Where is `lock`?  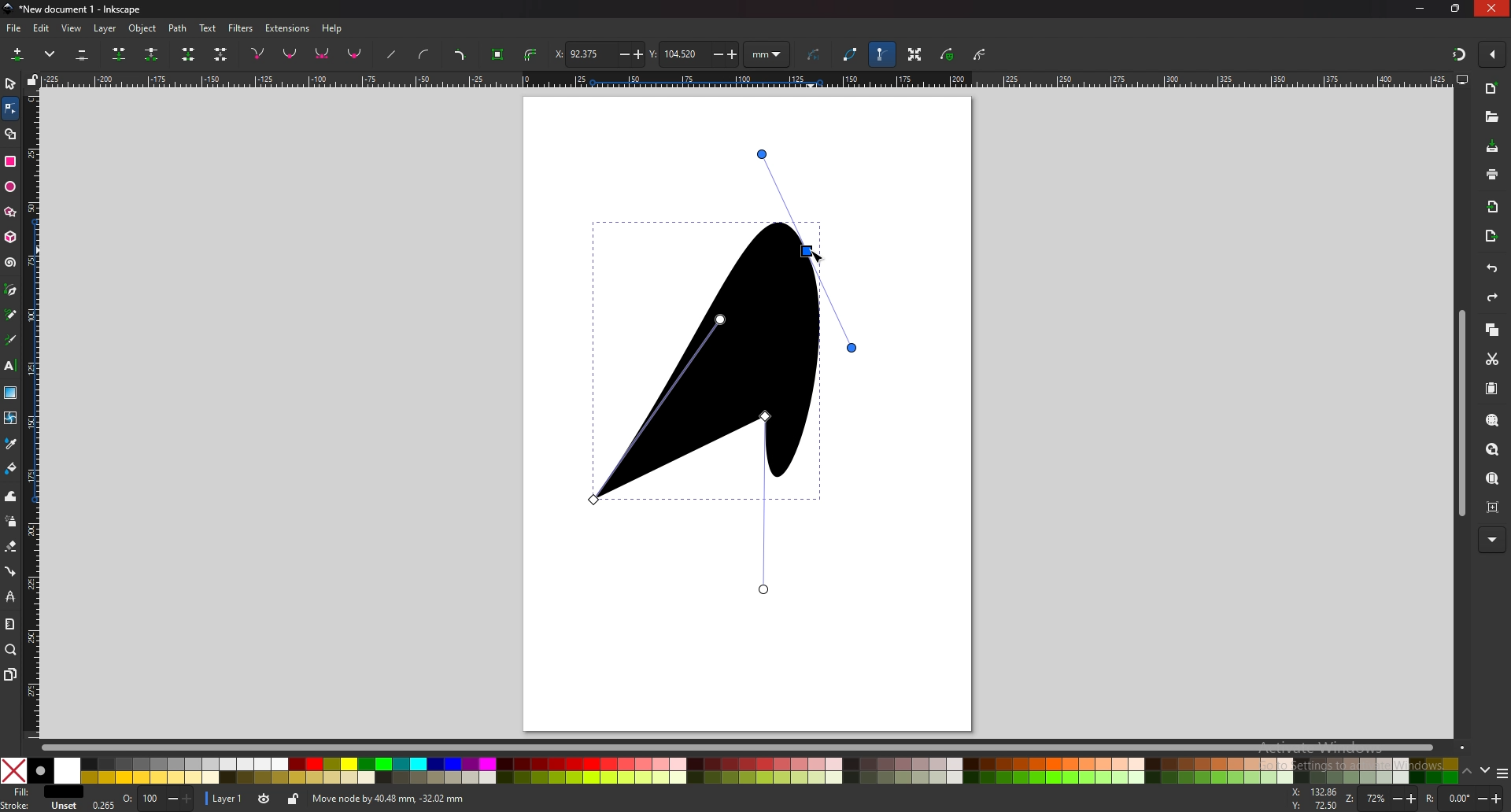
lock is located at coordinates (295, 799).